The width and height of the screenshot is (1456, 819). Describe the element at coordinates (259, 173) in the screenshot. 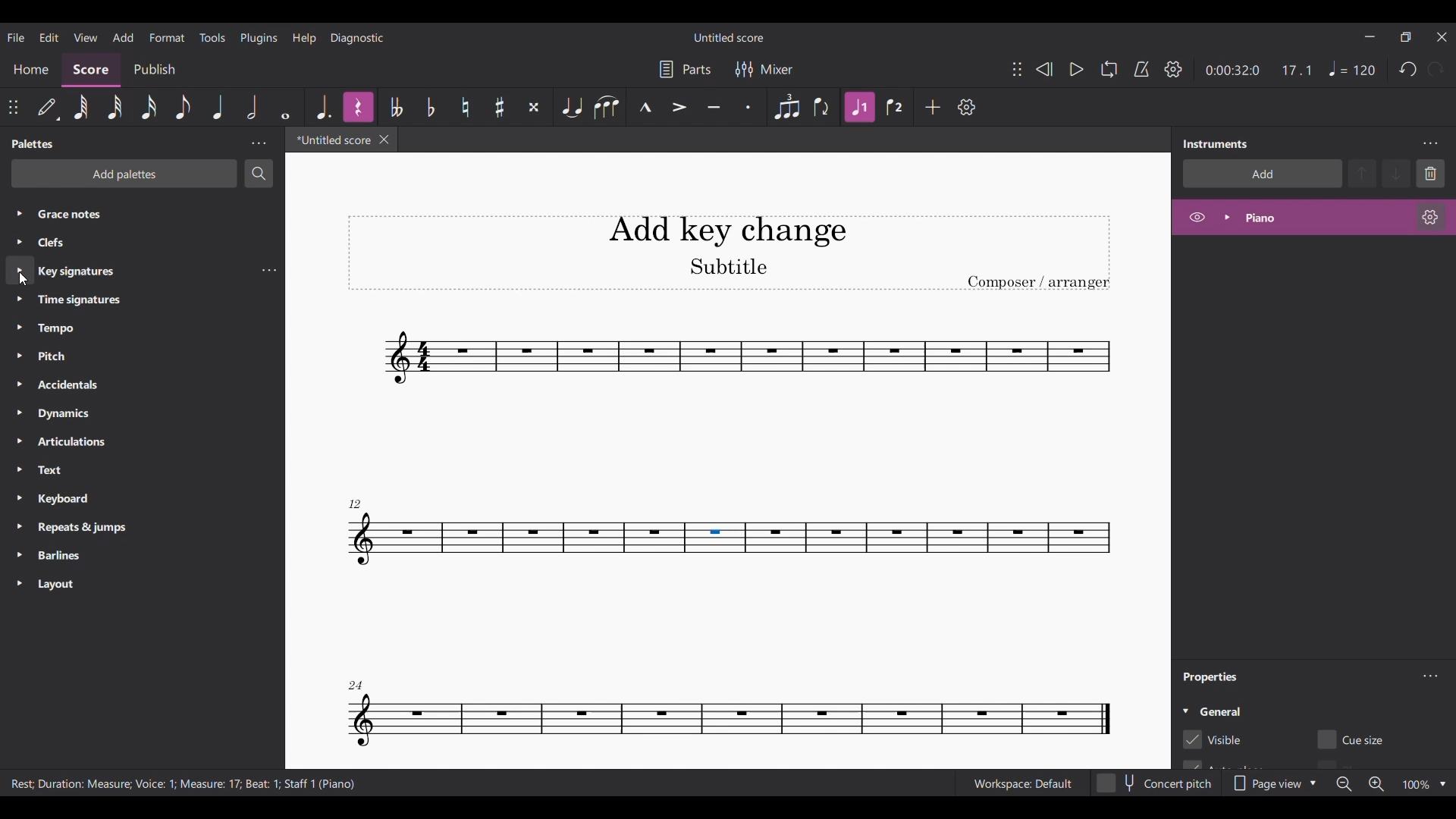

I see `Search palette` at that location.